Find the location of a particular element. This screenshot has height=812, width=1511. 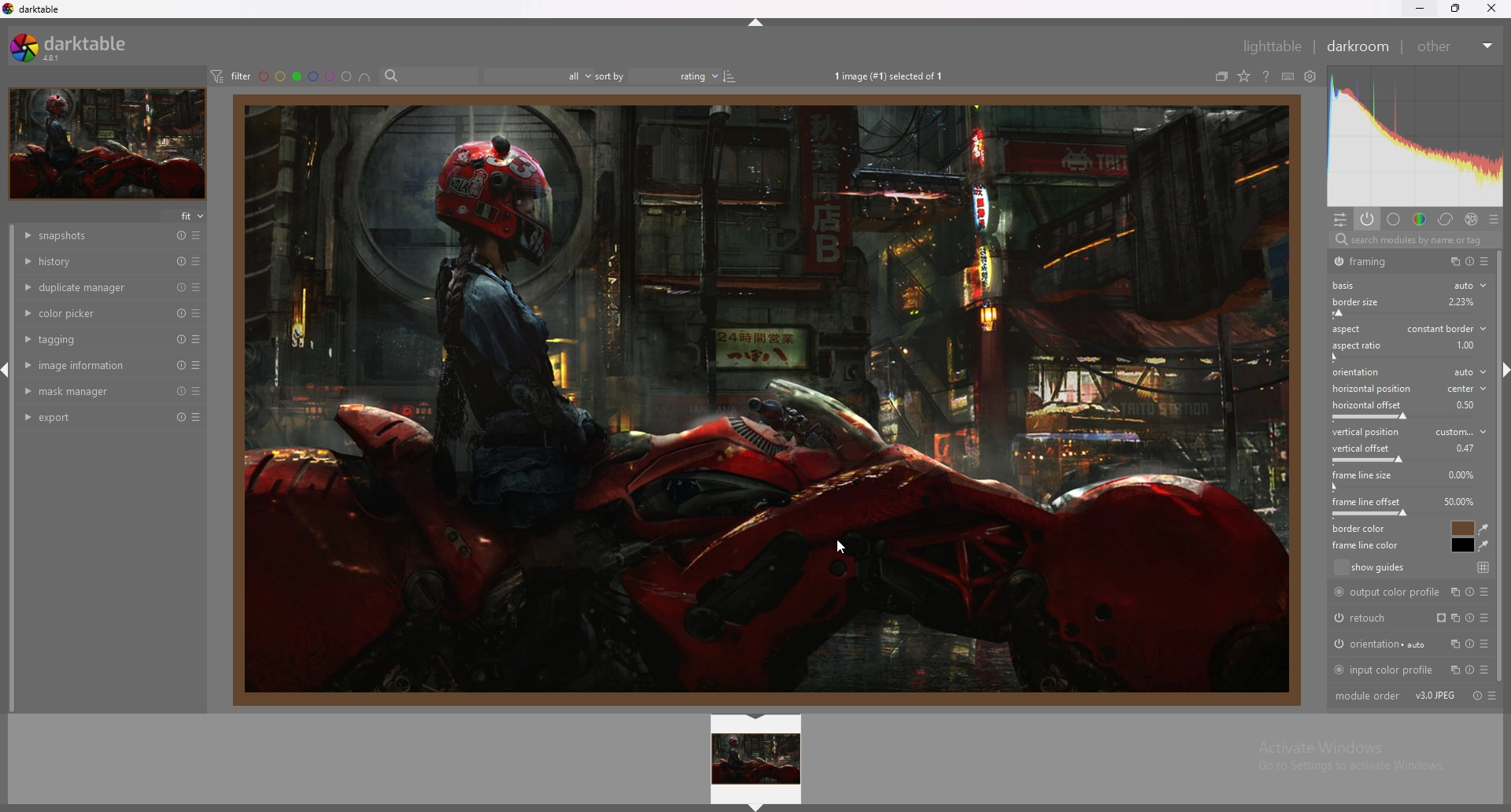

presets is located at coordinates (197, 390).